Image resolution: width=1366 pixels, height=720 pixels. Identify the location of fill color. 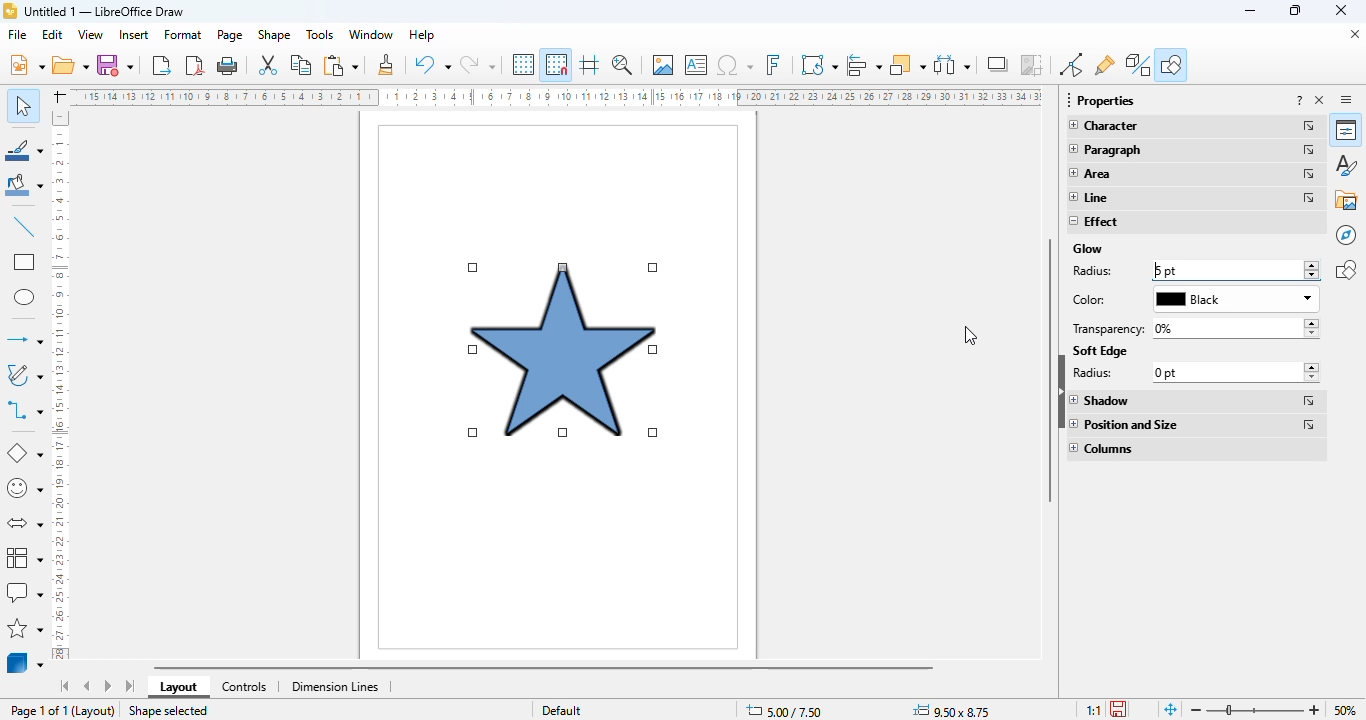
(23, 187).